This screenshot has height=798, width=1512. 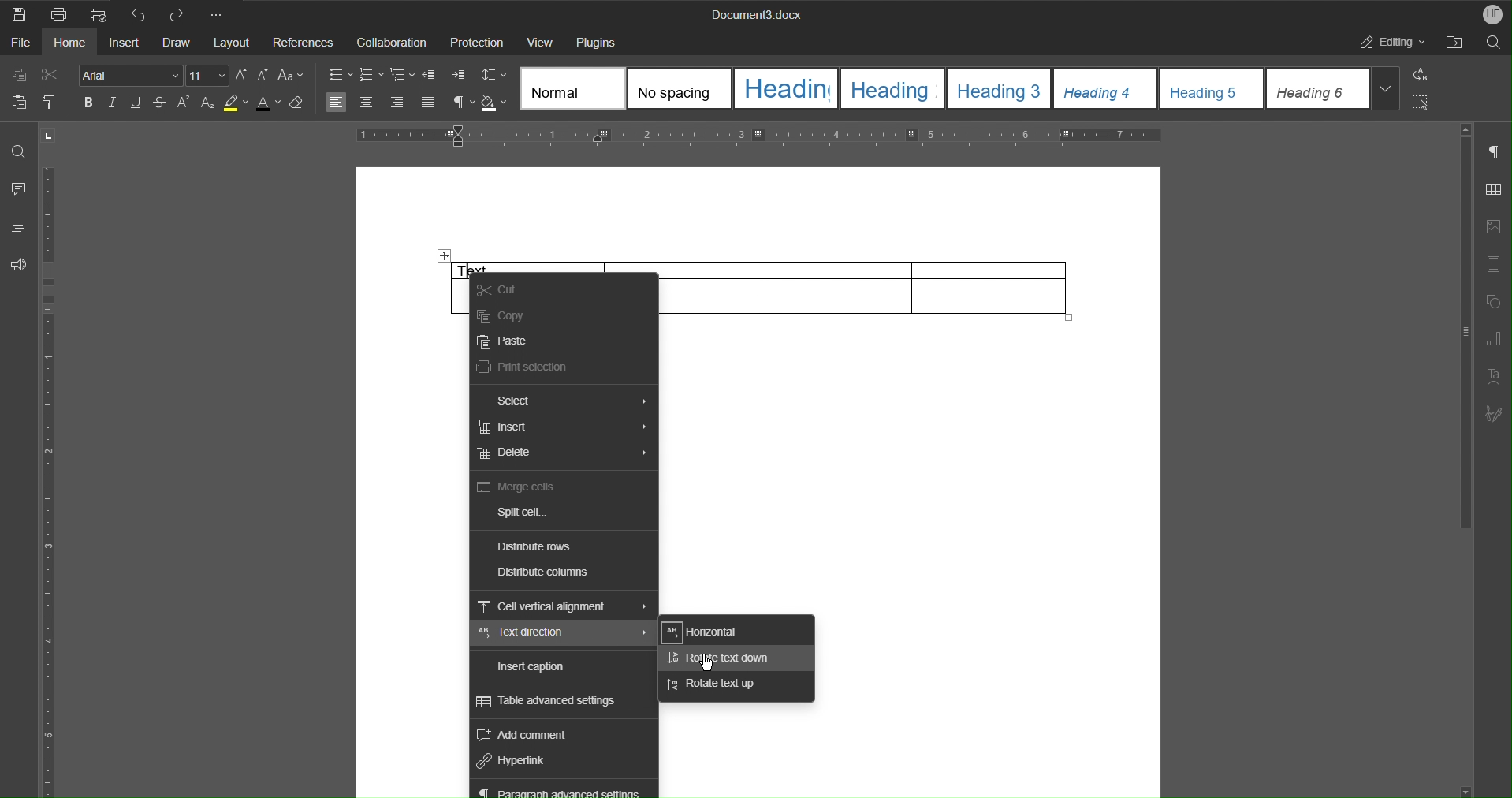 What do you see at coordinates (476, 41) in the screenshot?
I see `Protection` at bounding box center [476, 41].